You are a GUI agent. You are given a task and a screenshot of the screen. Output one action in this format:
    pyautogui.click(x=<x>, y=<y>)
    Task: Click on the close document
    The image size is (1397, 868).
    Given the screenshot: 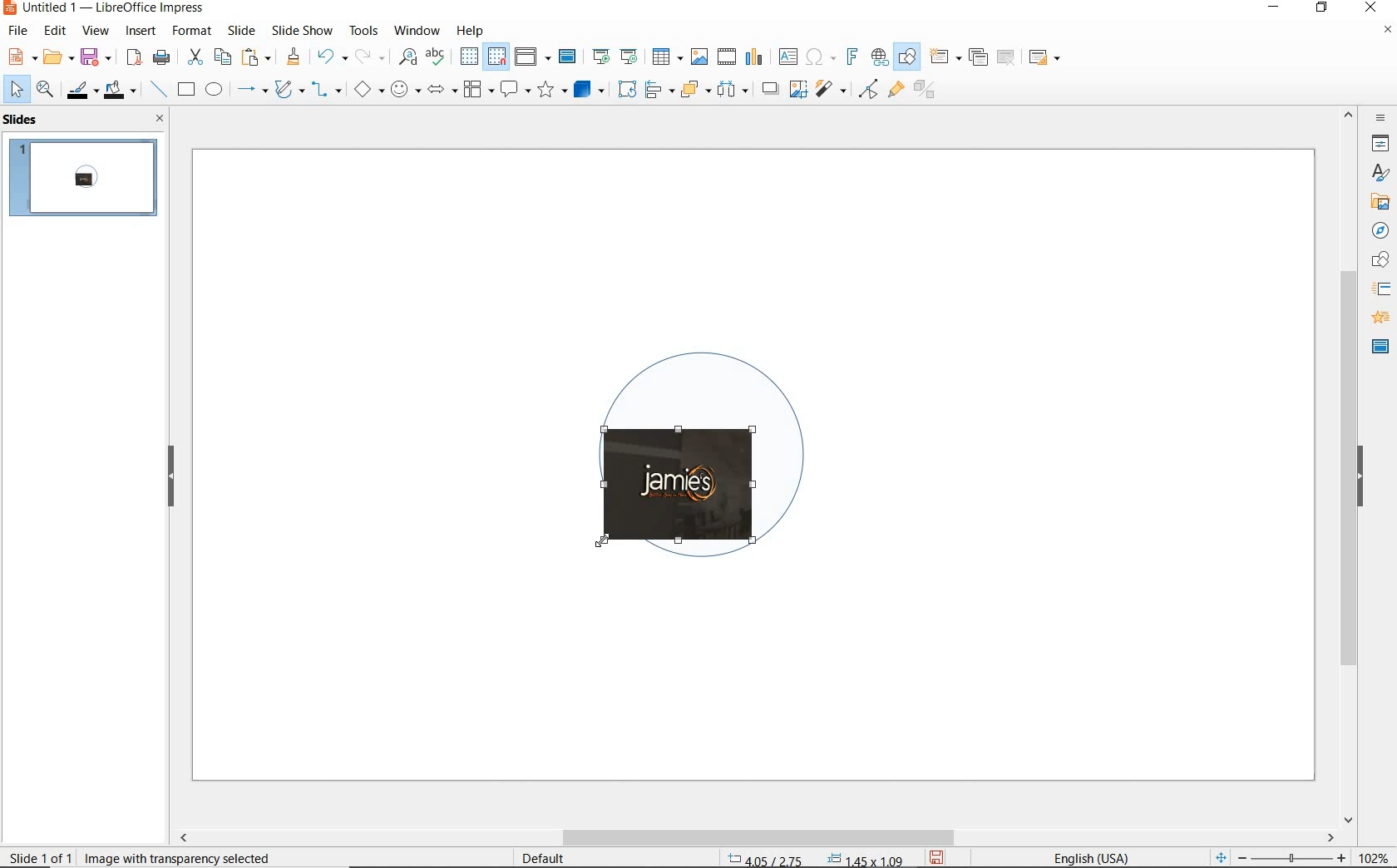 What is the action you would take?
    pyautogui.click(x=1387, y=33)
    